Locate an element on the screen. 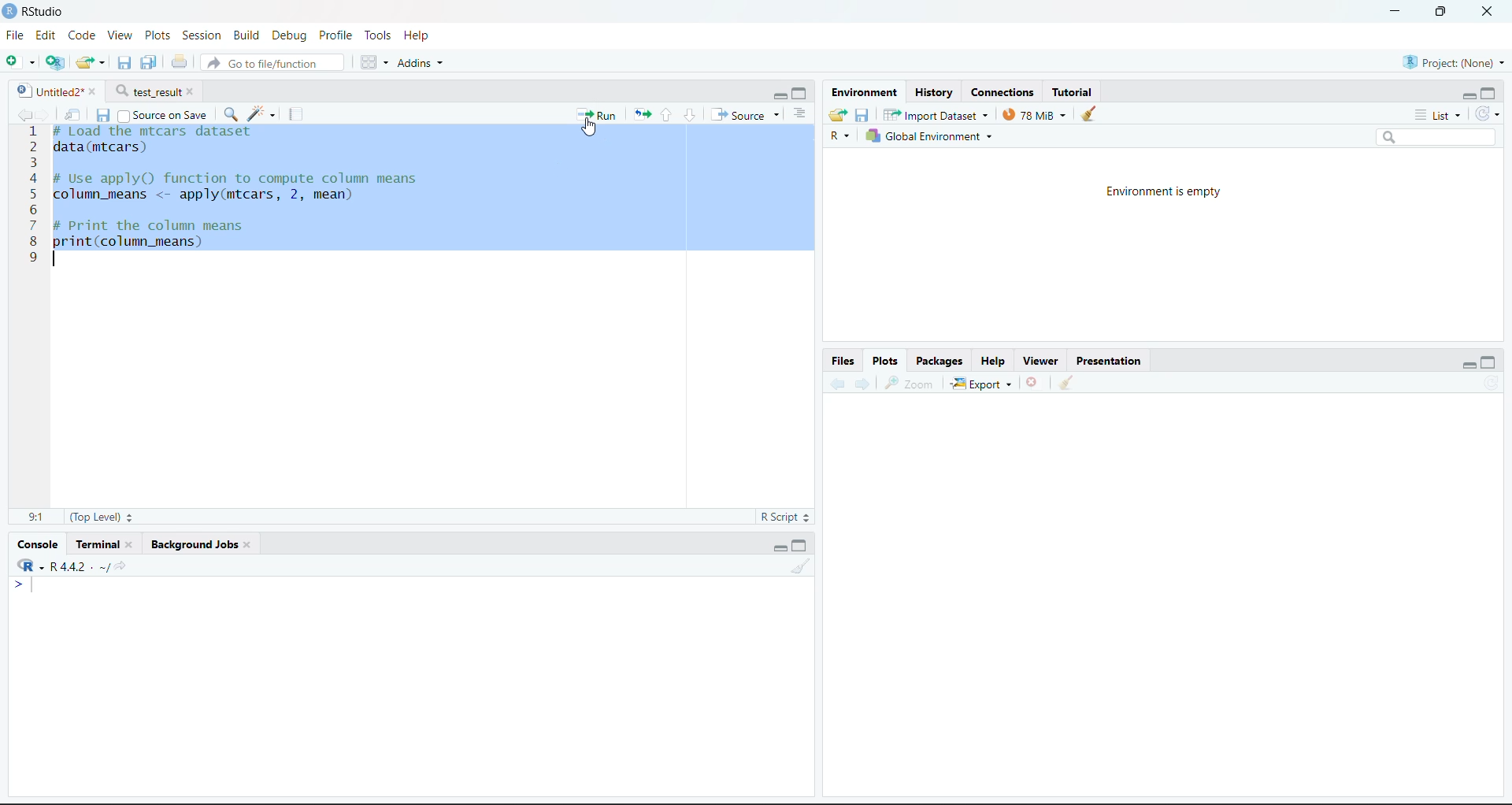  test_result* is located at coordinates (157, 91).